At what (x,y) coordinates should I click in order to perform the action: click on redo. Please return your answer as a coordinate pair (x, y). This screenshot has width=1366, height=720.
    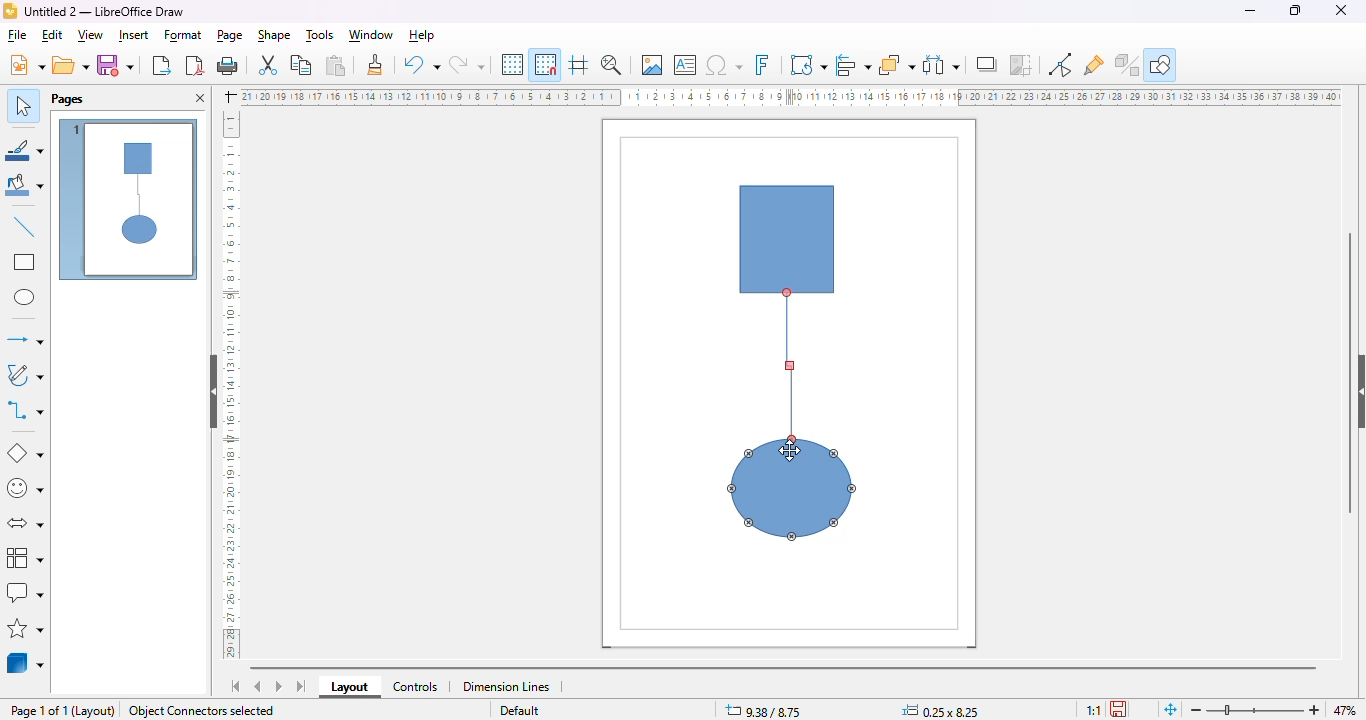
    Looking at the image, I should click on (466, 66).